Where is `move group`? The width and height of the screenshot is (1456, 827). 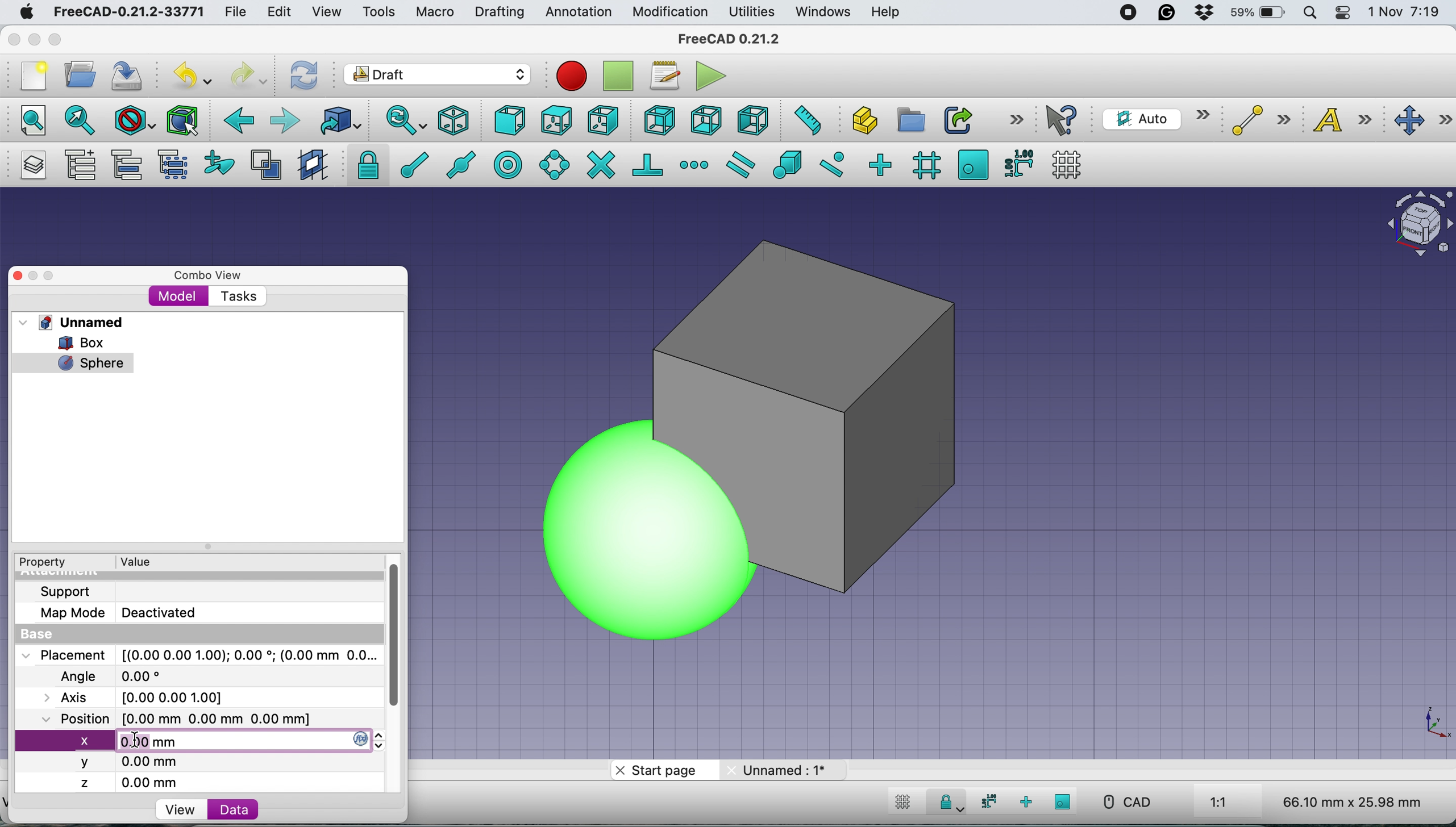
move group is located at coordinates (130, 165).